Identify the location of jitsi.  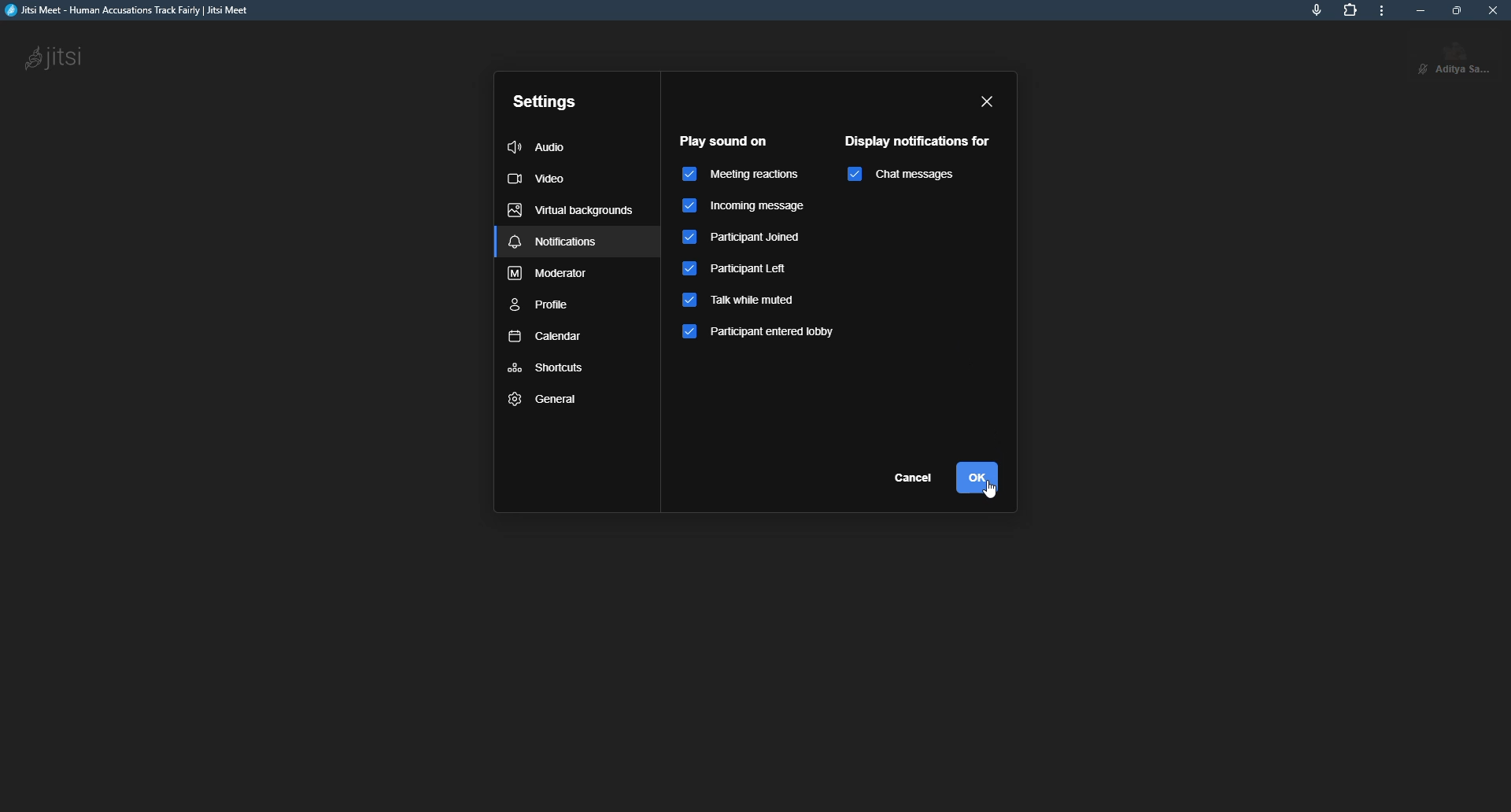
(57, 58).